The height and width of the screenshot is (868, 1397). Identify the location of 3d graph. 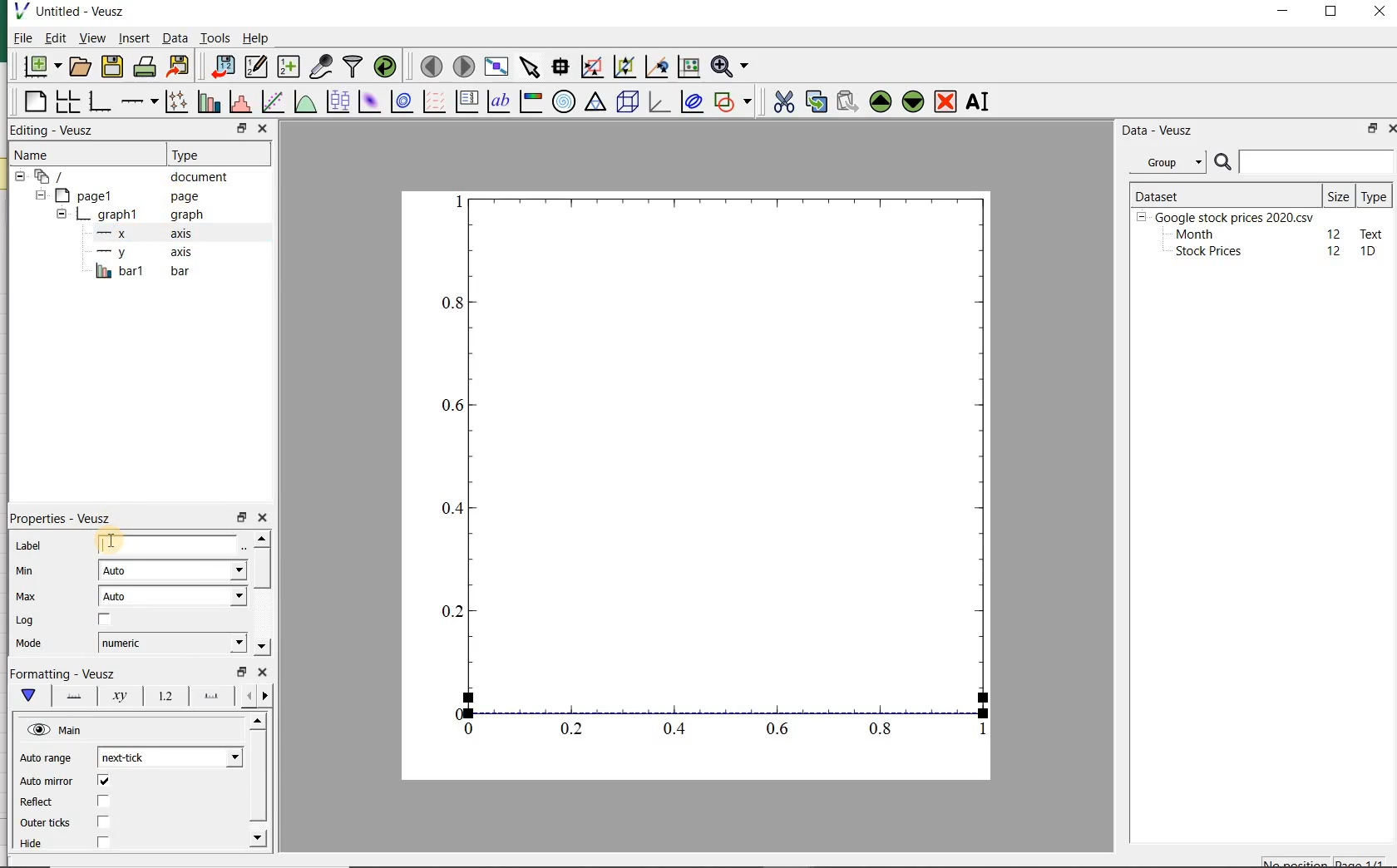
(659, 103).